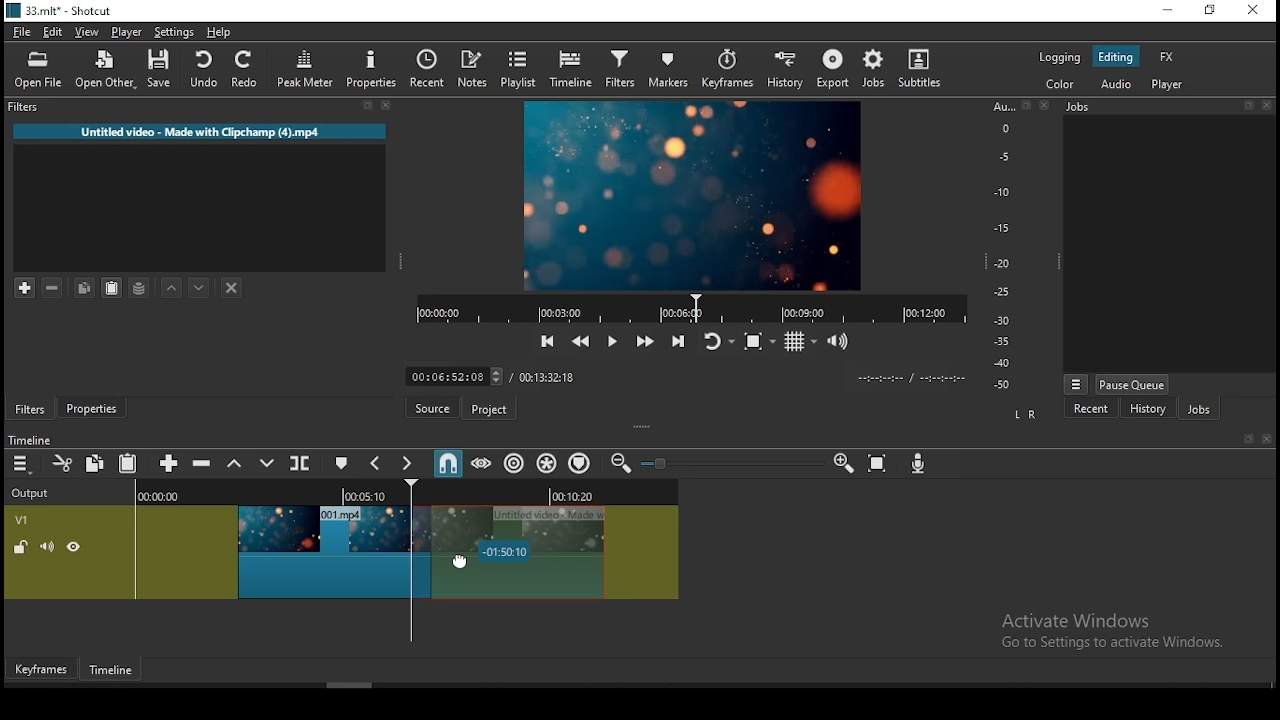 Image resolution: width=1280 pixels, height=720 pixels. What do you see at coordinates (489, 407) in the screenshot?
I see `Project` at bounding box center [489, 407].